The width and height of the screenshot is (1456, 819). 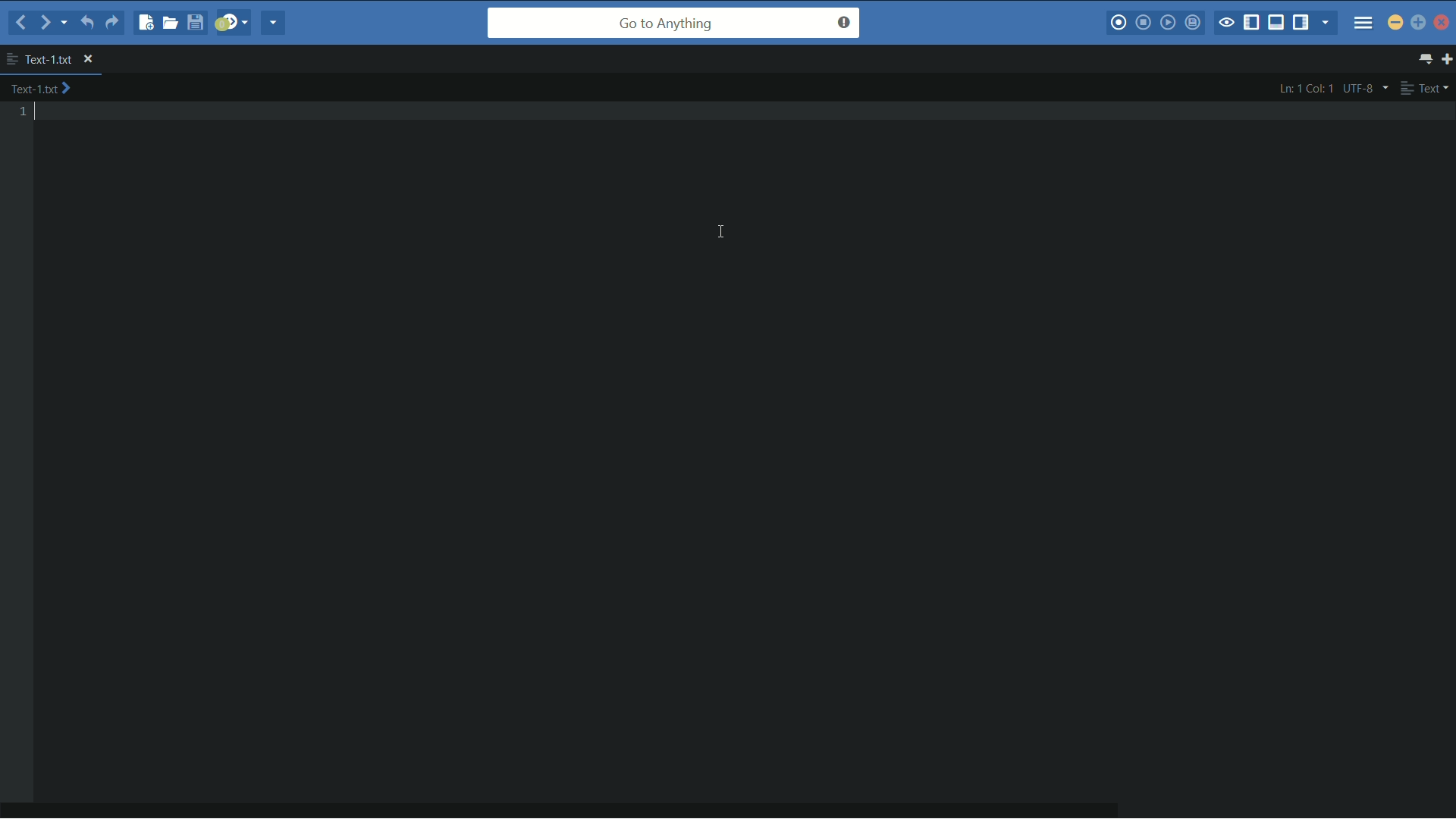 What do you see at coordinates (1191, 22) in the screenshot?
I see `save macro to toolbox` at bounding box center [1191, 22].